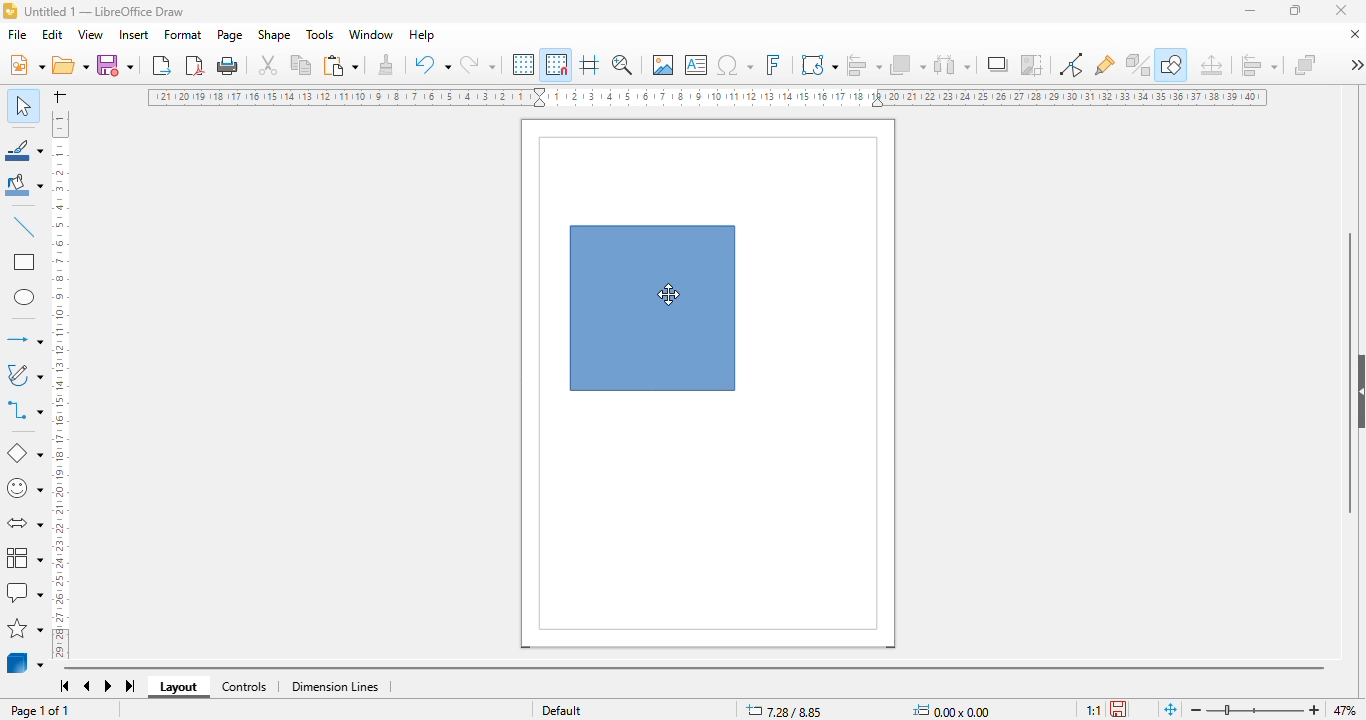 The image size is (1366, 720). What do you see at coordinates (773, 64) in the screenshot?
I see `insert fontwork text` at bounding box center [773, 64].